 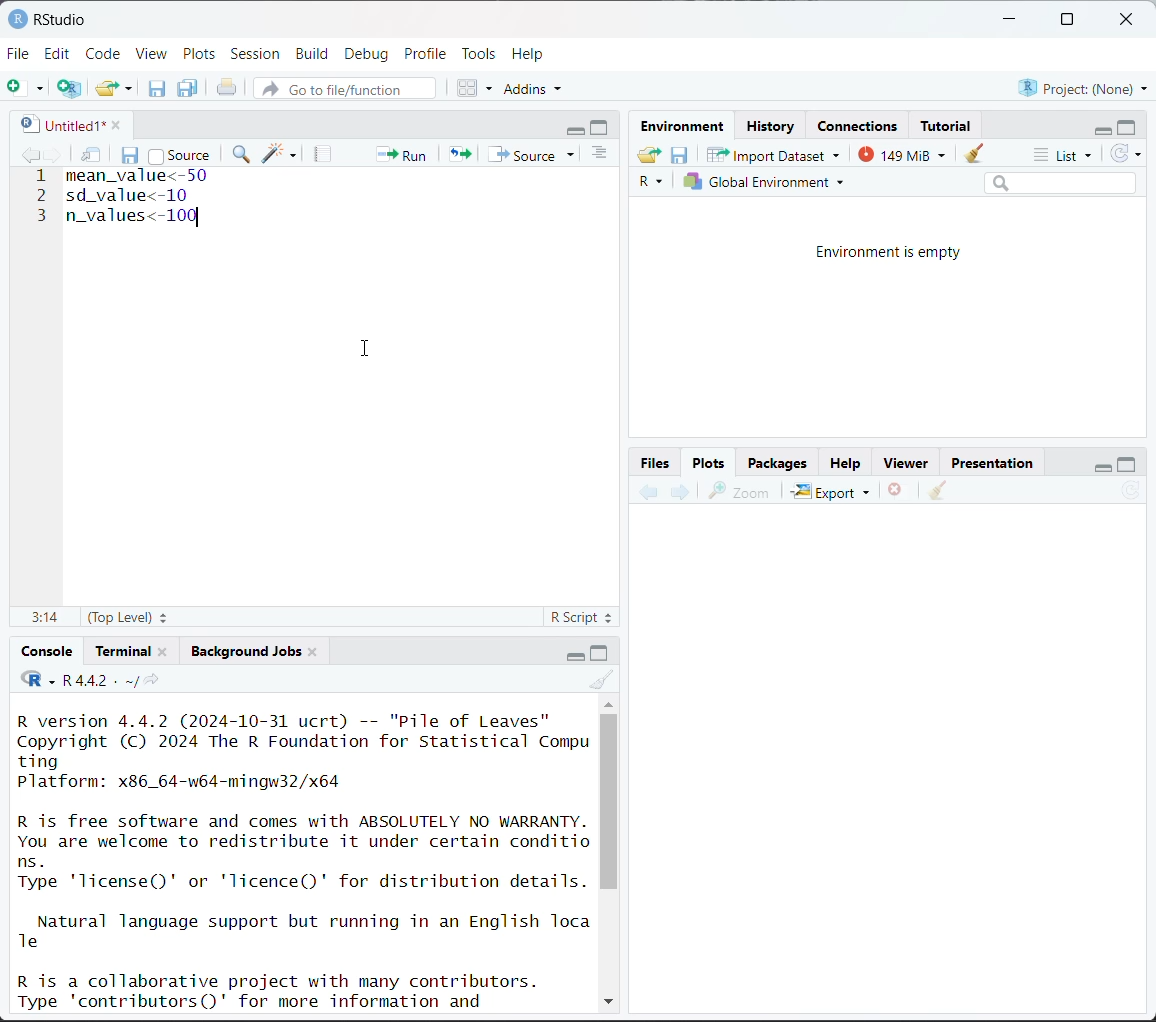 I want to click on minimize, so click(x=571, y=654).